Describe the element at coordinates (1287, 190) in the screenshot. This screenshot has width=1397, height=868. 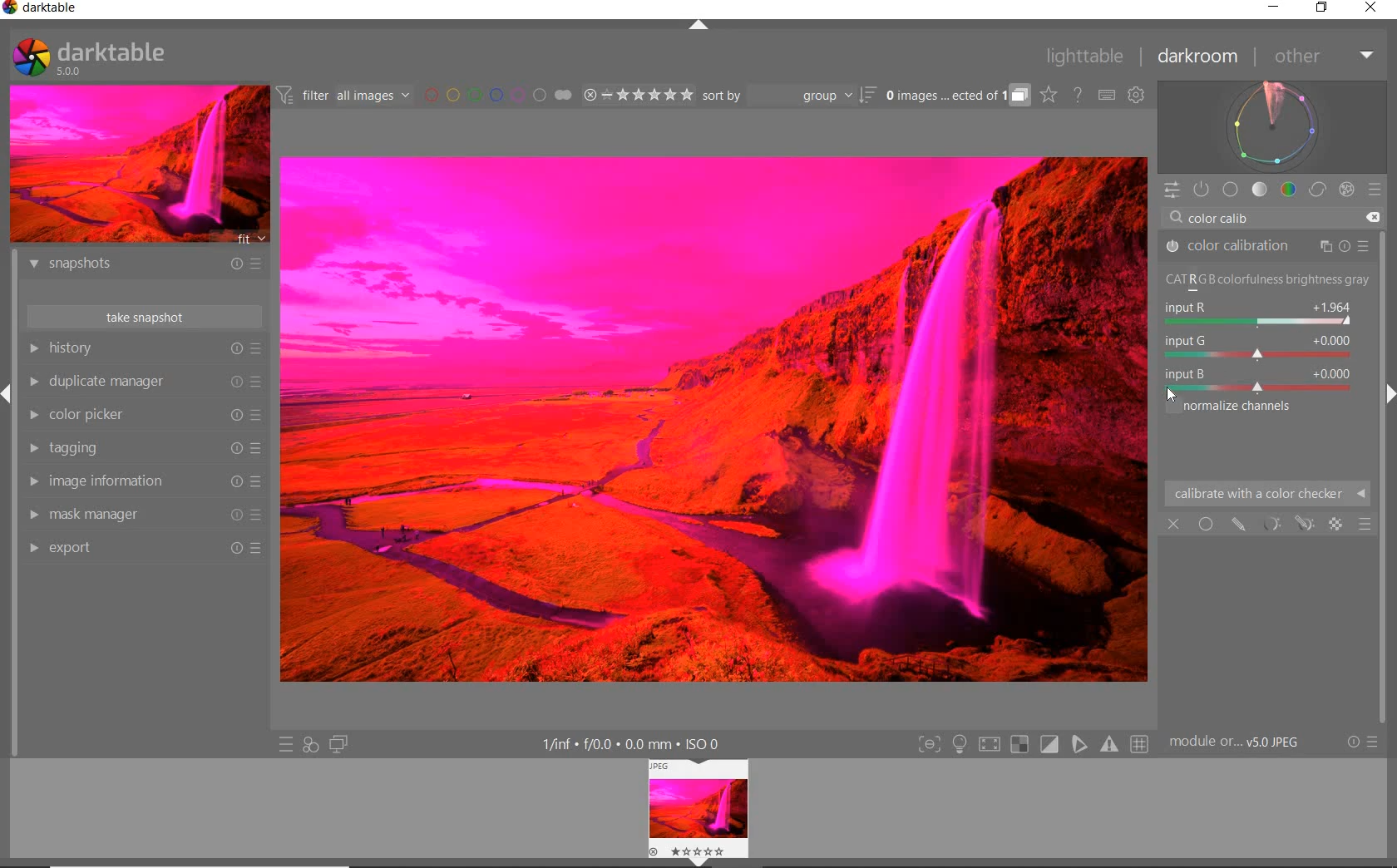
I see `color` at that location.